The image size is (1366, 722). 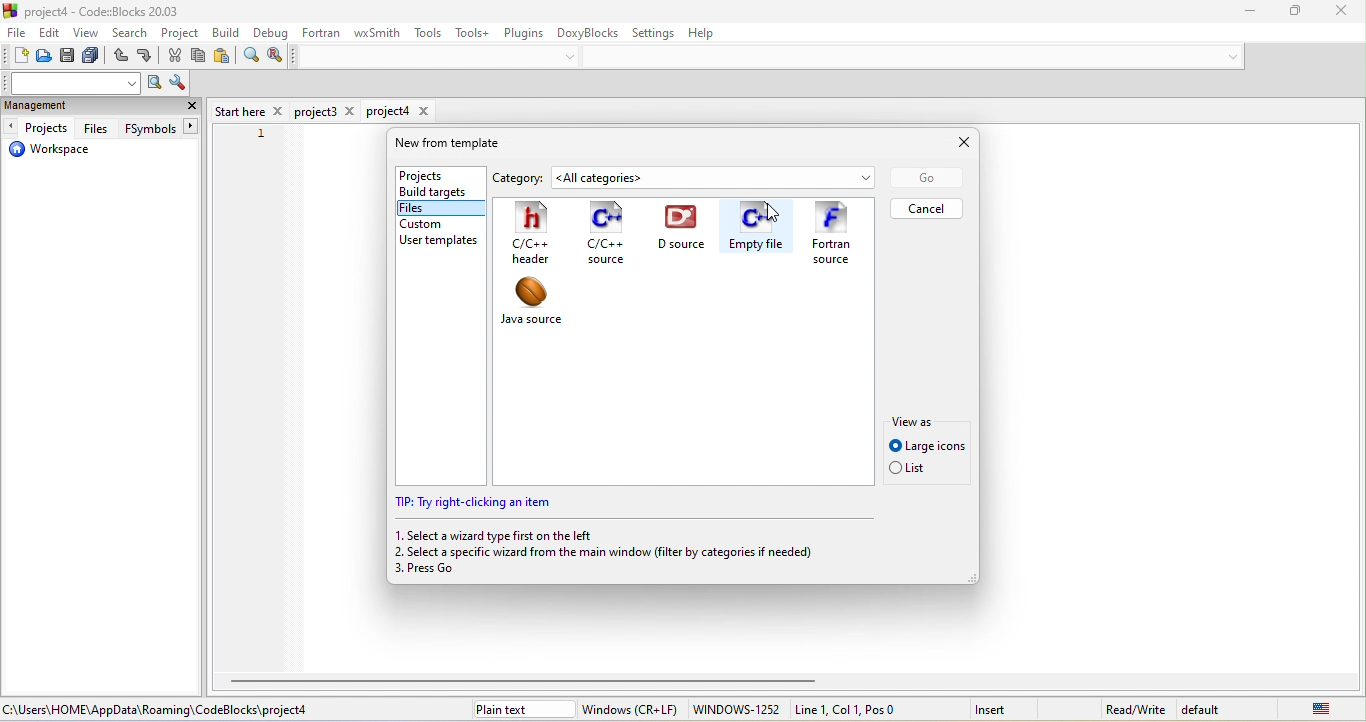 I want to click on undo, so click(x=120, y=58).